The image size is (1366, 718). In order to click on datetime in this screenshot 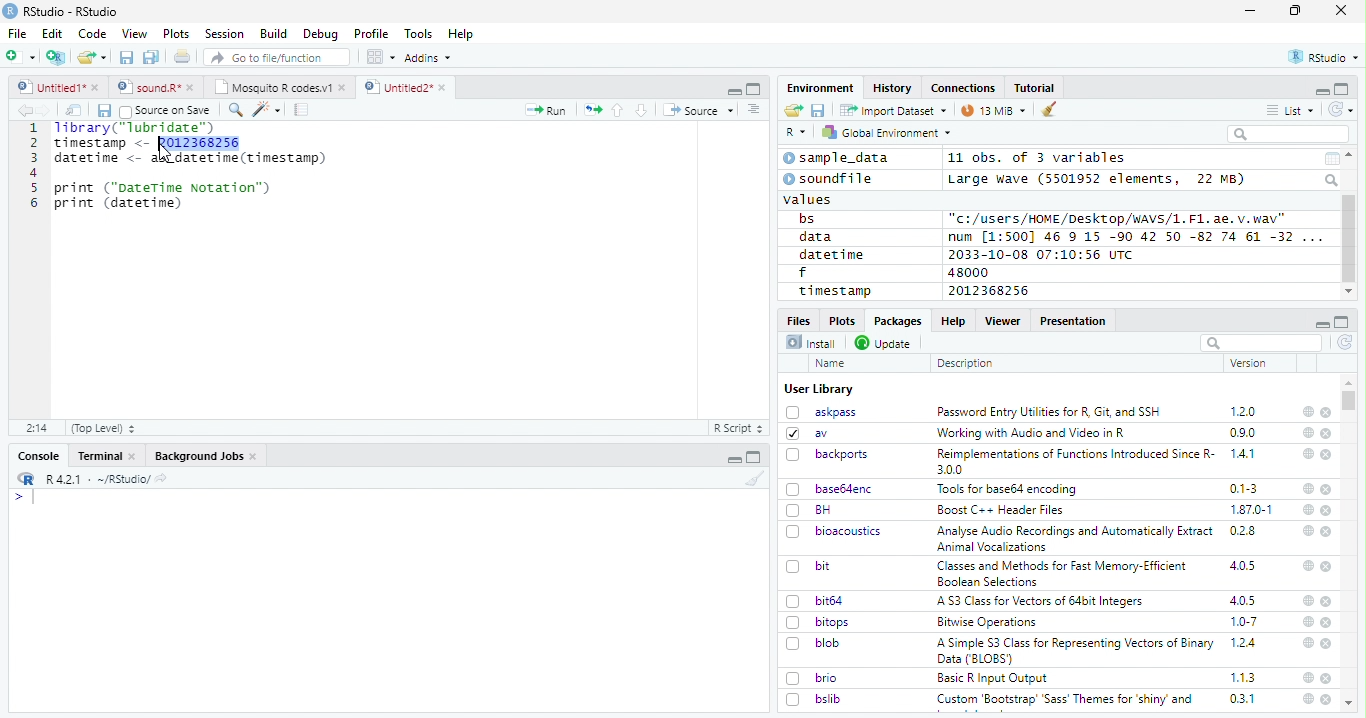, I will do `click(831, 254)`.